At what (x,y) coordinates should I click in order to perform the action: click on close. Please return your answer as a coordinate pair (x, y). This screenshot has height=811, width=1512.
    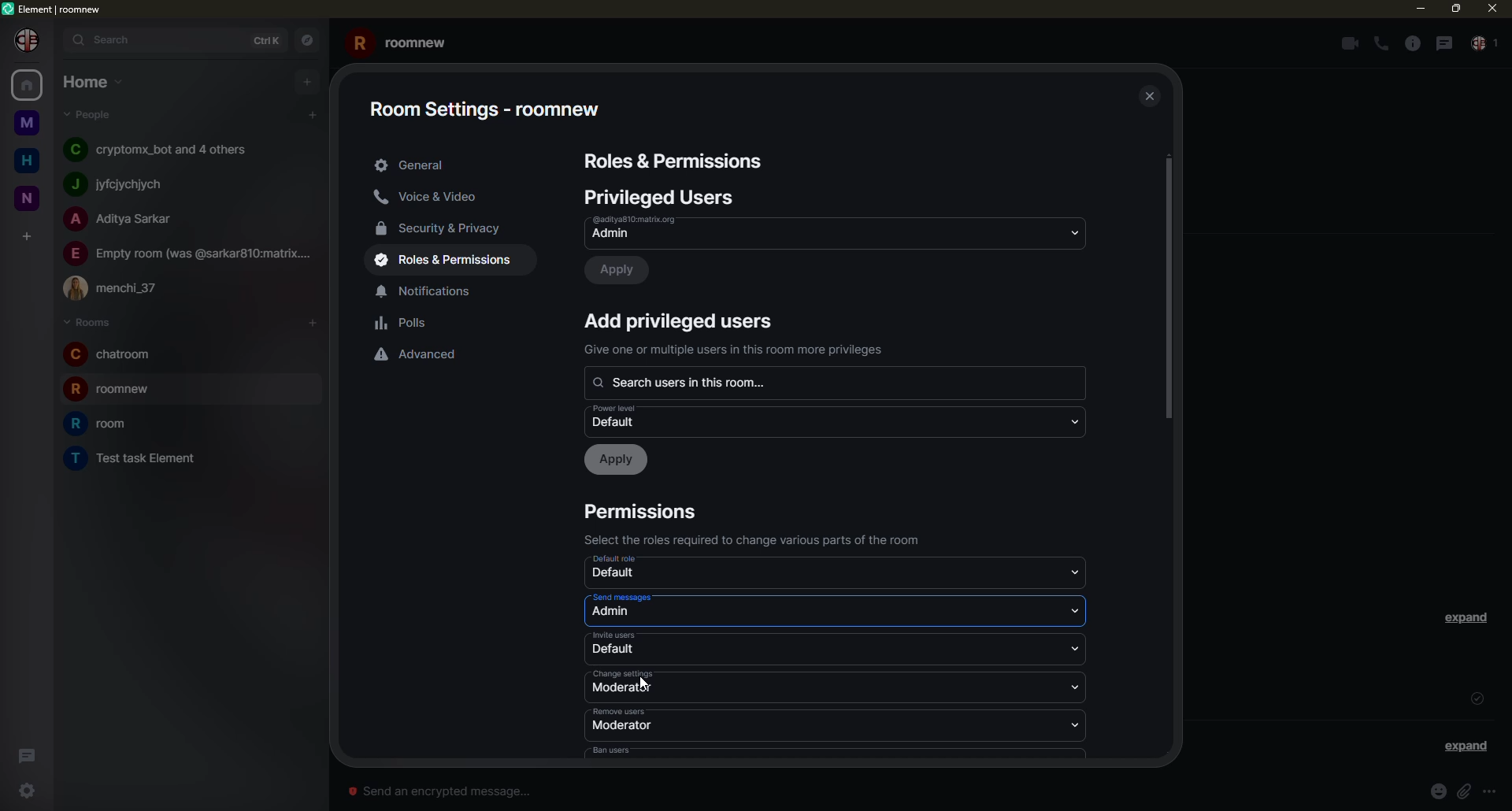
    Looking at the image, I should click on (1490, 8).